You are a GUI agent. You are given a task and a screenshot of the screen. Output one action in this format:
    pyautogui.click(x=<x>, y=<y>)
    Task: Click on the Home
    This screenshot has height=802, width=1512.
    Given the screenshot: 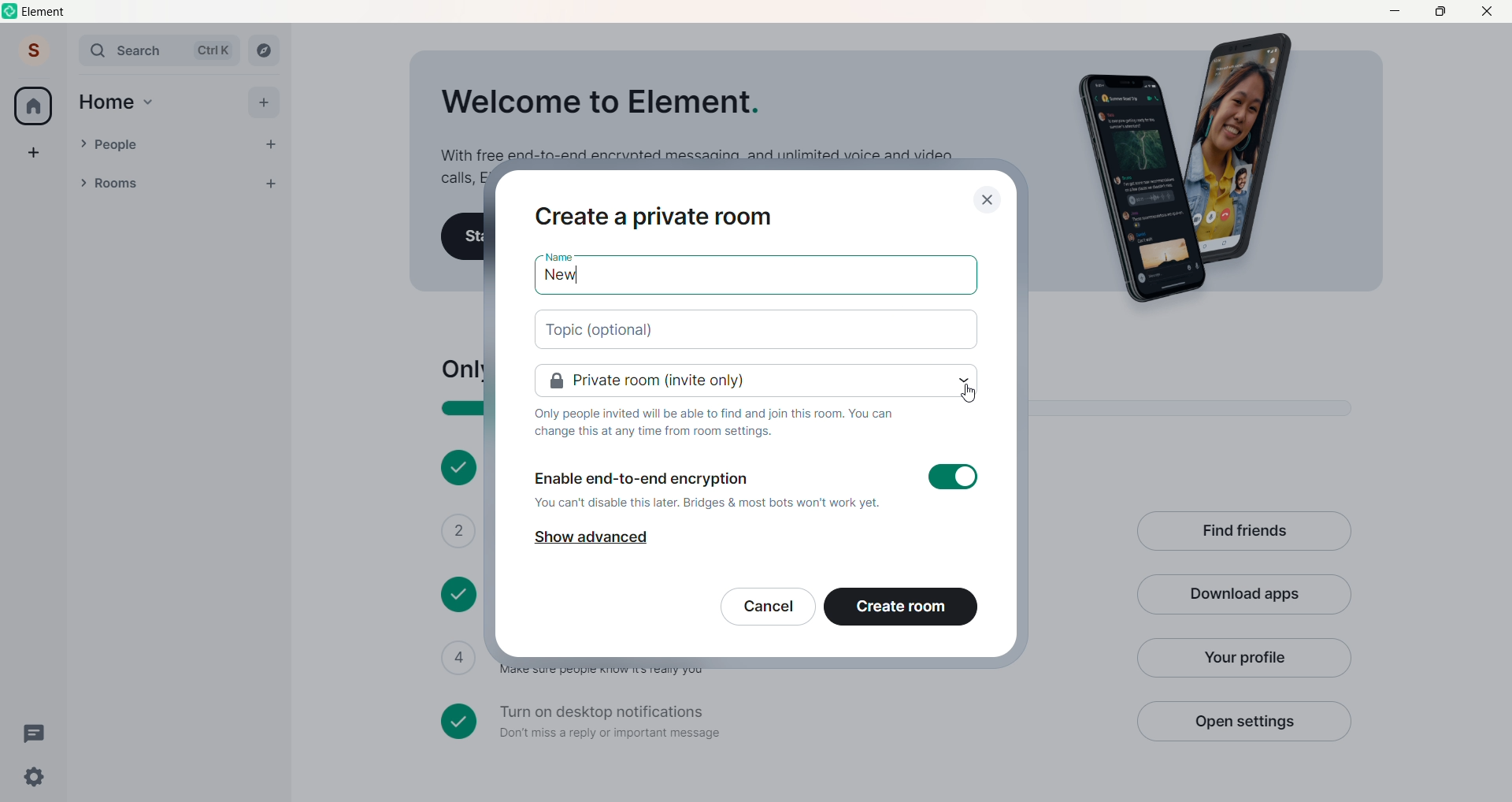 What is the action you would take?
    pyautogui.click(x=106, y=102)
    